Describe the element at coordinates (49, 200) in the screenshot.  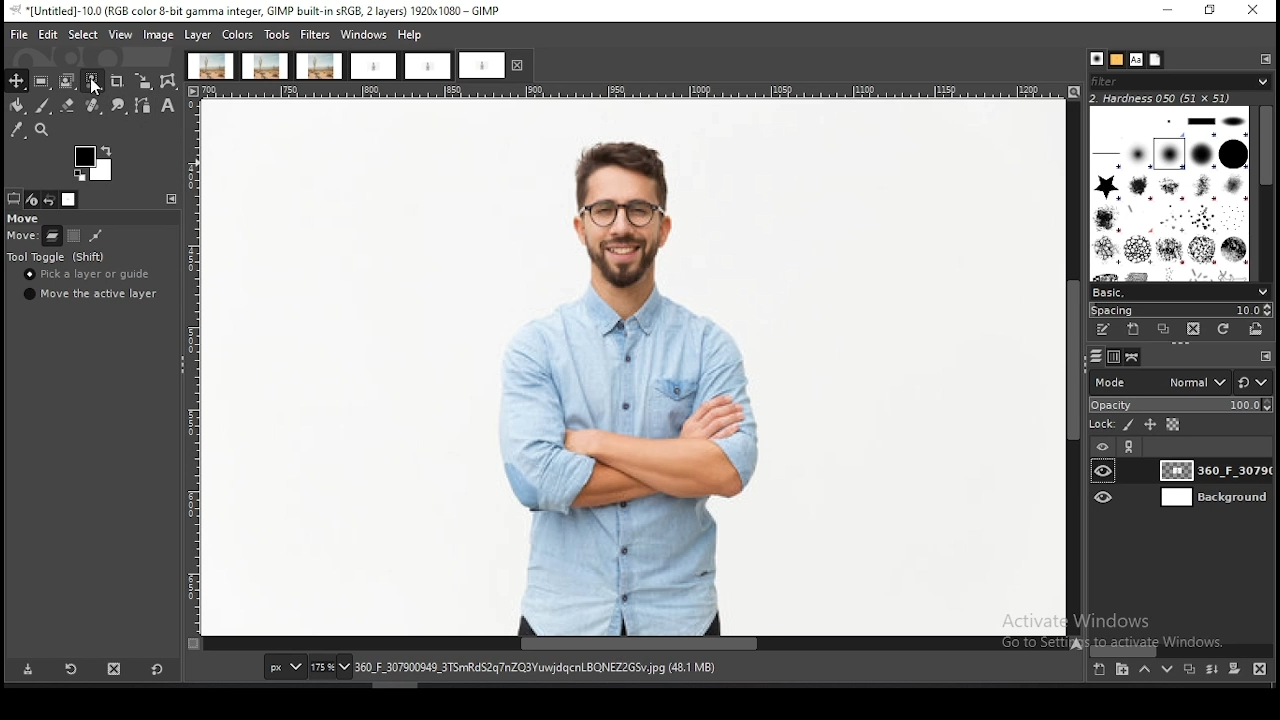
I see `undo history` at that location.